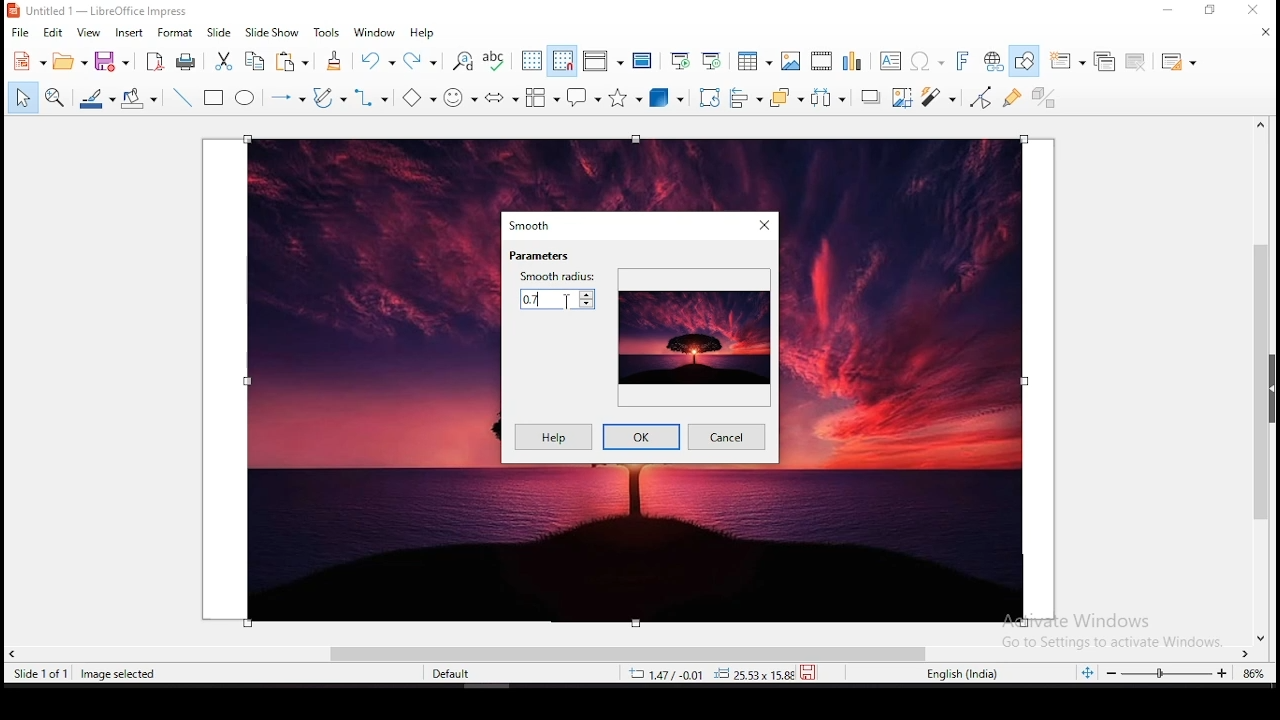  Describe the element at coordinates (377, 32) in the screenshot. I see `window` at that location.